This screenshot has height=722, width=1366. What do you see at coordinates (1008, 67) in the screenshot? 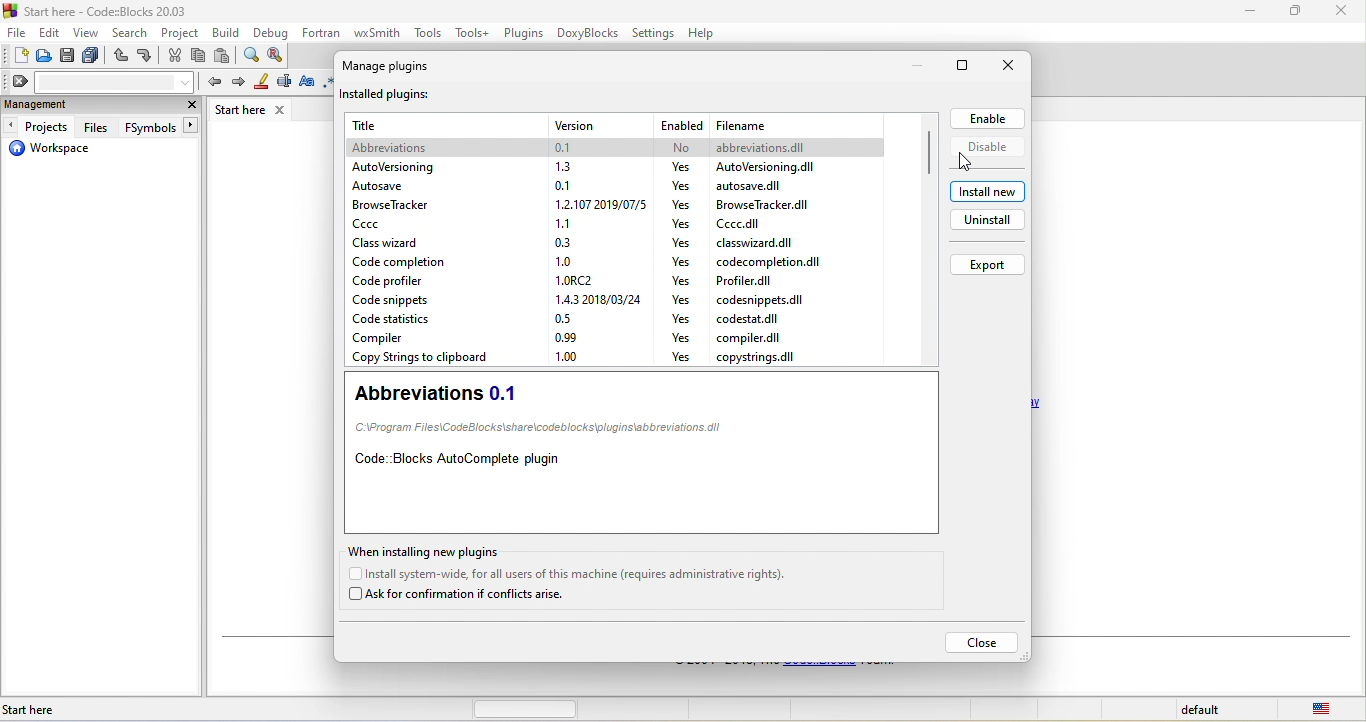
I see `close` at bounding box center [1008, 67].